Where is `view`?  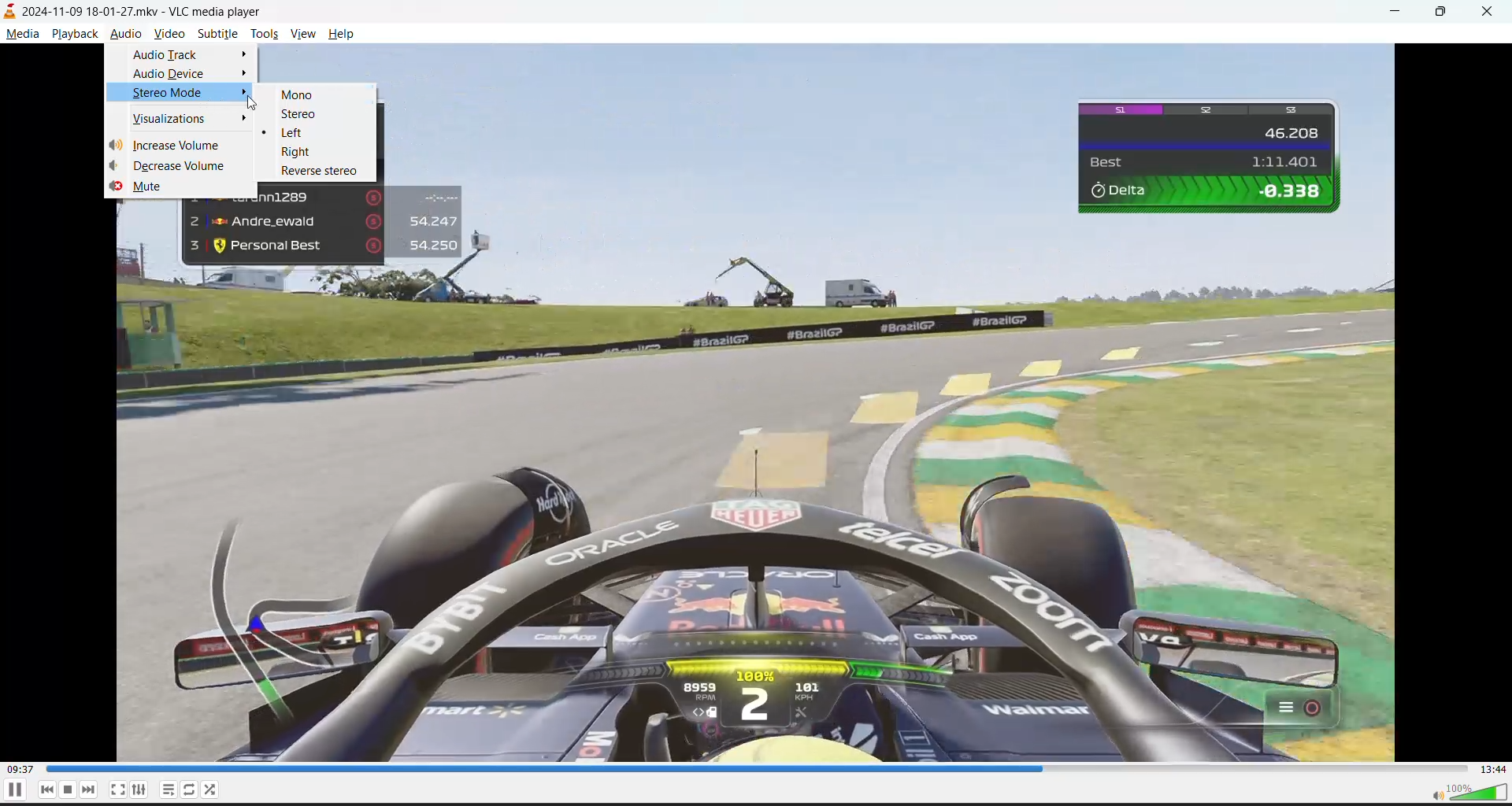 view is located at coordinates (306, 35).